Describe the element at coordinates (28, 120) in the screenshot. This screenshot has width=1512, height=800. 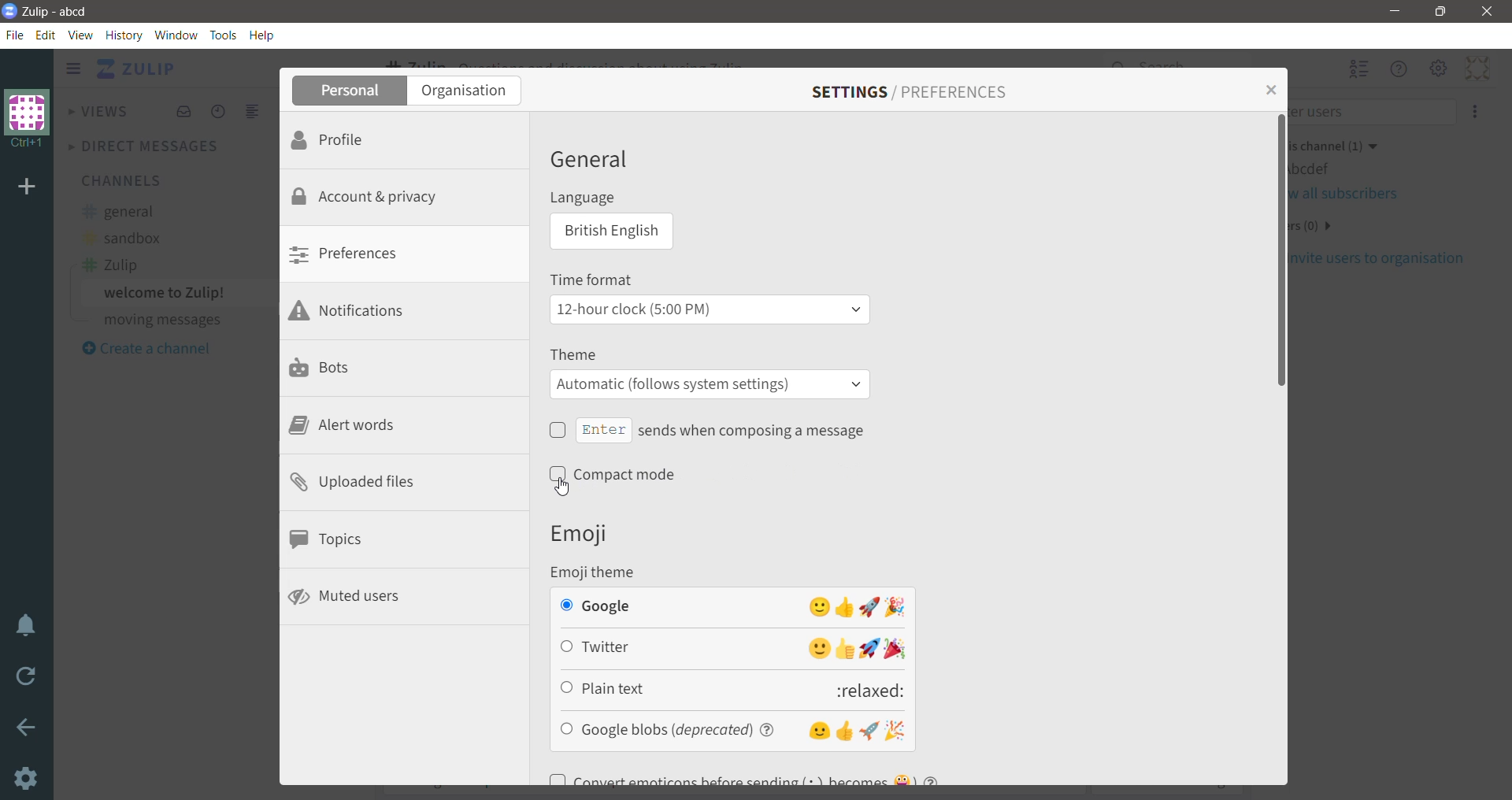
I see `Organization Name` at that location.